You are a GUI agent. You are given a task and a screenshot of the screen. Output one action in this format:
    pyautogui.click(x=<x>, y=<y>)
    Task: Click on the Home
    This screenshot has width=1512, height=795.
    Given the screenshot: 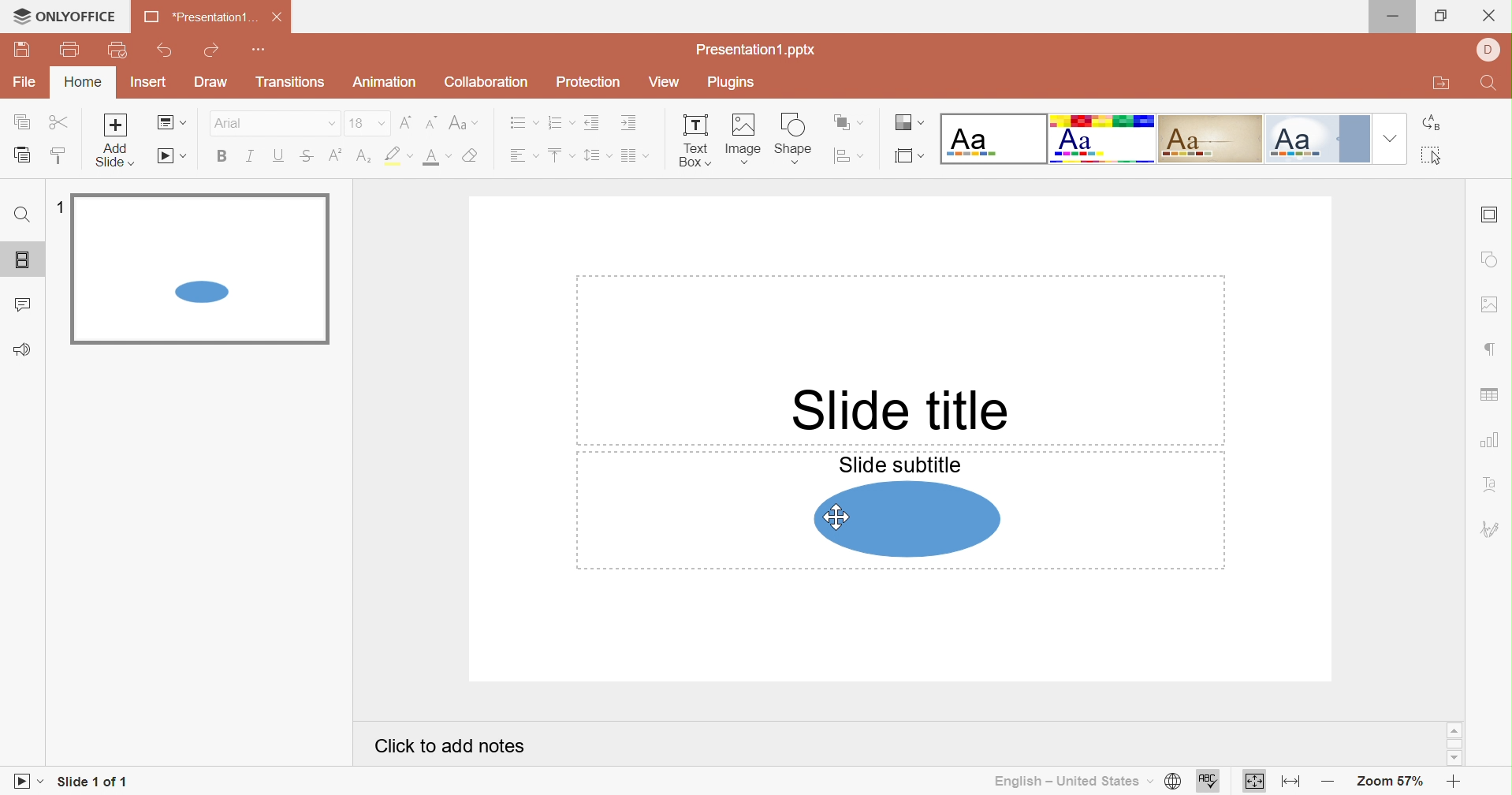 What is the action you would take?
    pyautogui.click(x=85, y=84)
    